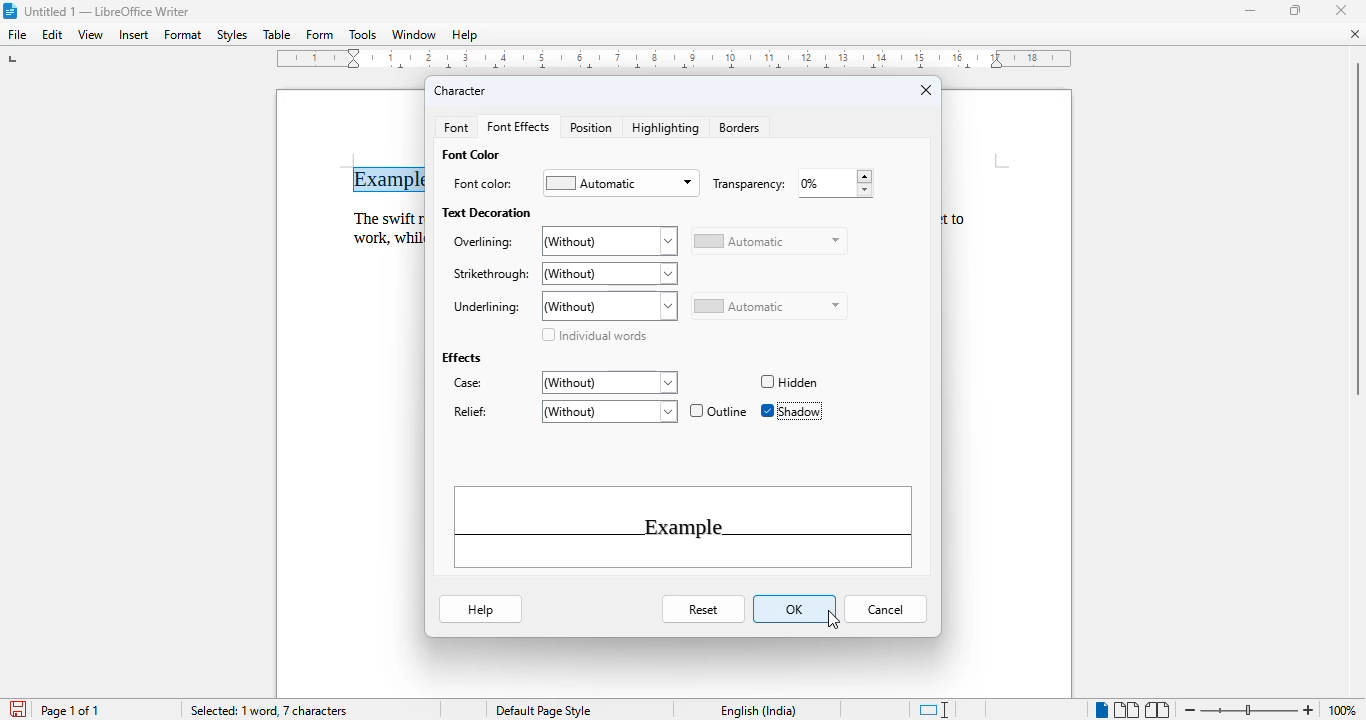 Image resolution: width=1366 pixels, height=720 pixels. What do you see at coordinates (1091, 709) in the screenshot?
I see `Single Page view` at bounding box center [1091, 709].